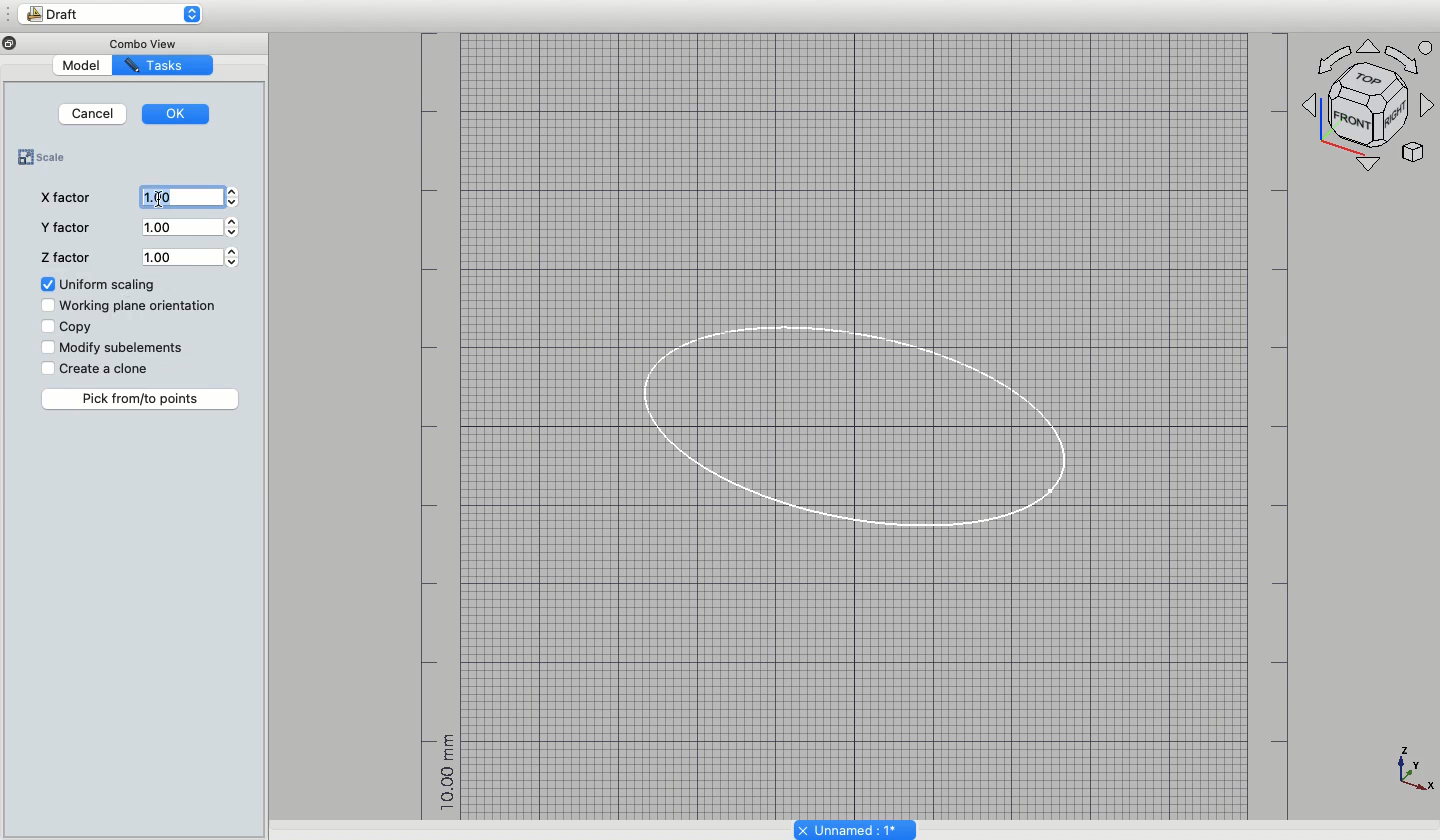  I want to click on Uniform scaling, so click(100, 284).